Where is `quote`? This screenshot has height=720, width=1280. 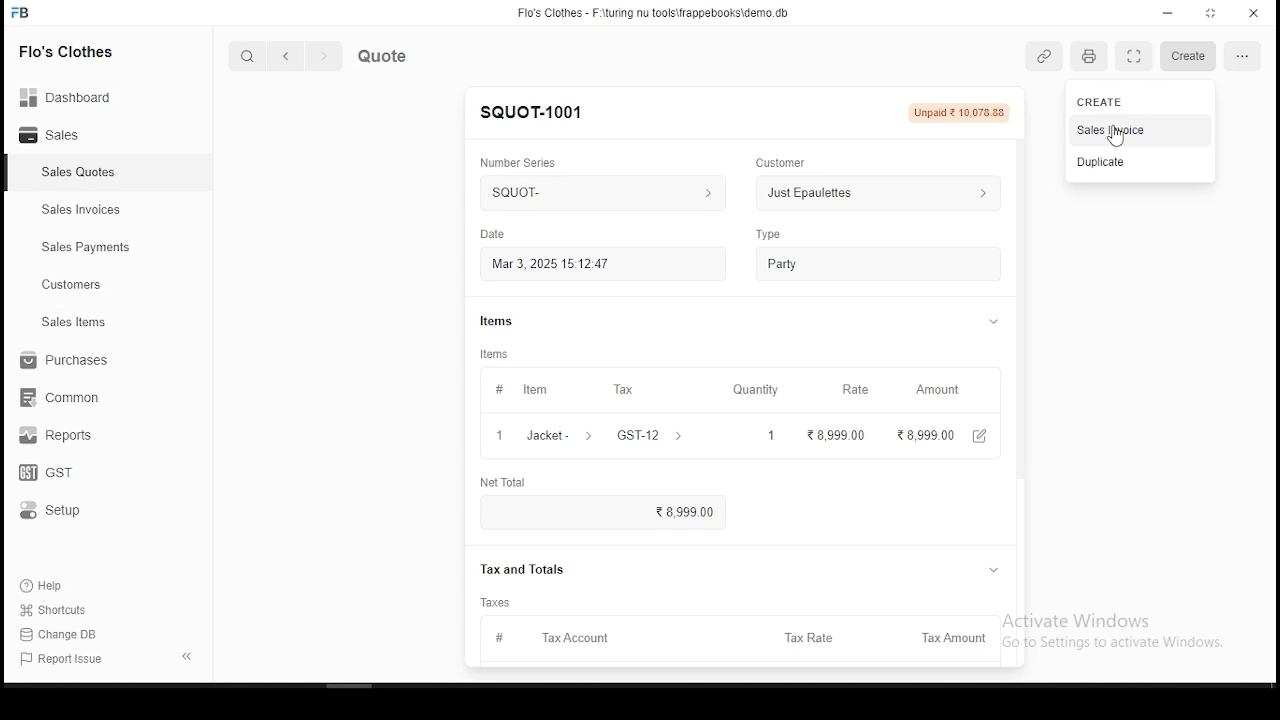 quote is located at coordinates (407, 56).